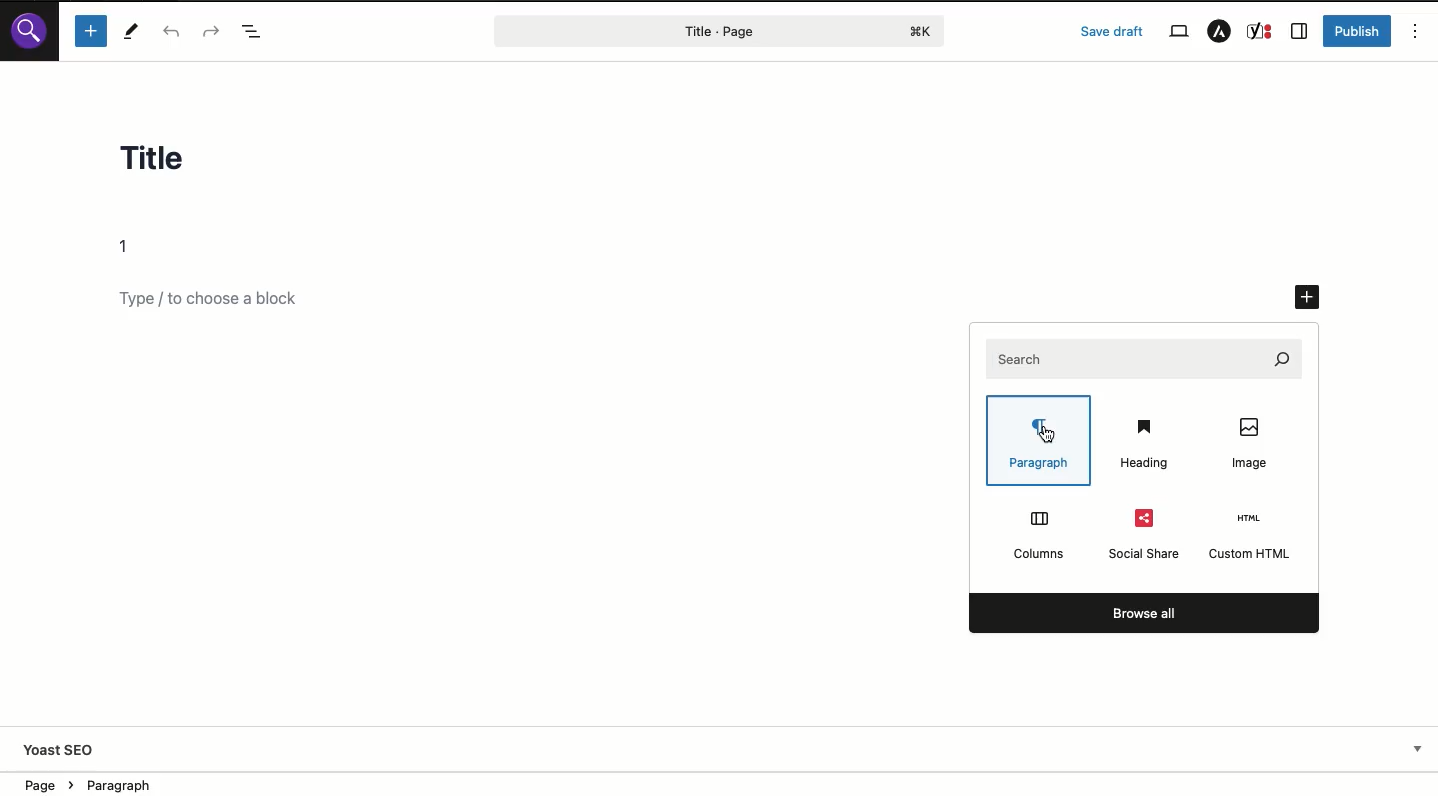 This screenshot has height=796, width=1438. I want to click on Search , so click(29, 30).